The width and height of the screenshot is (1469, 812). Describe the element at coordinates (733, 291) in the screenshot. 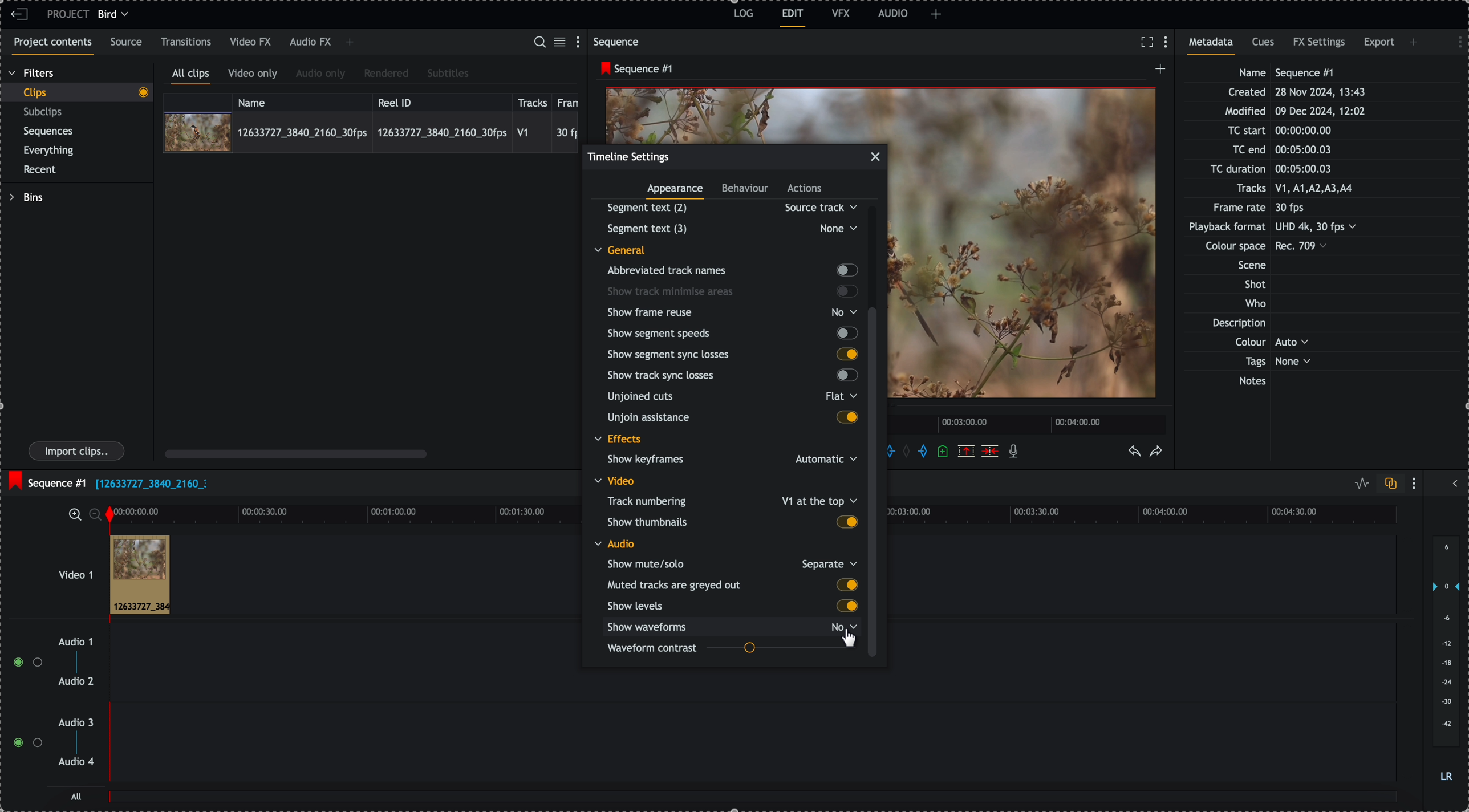

I see `show track minimise areas` at that location.